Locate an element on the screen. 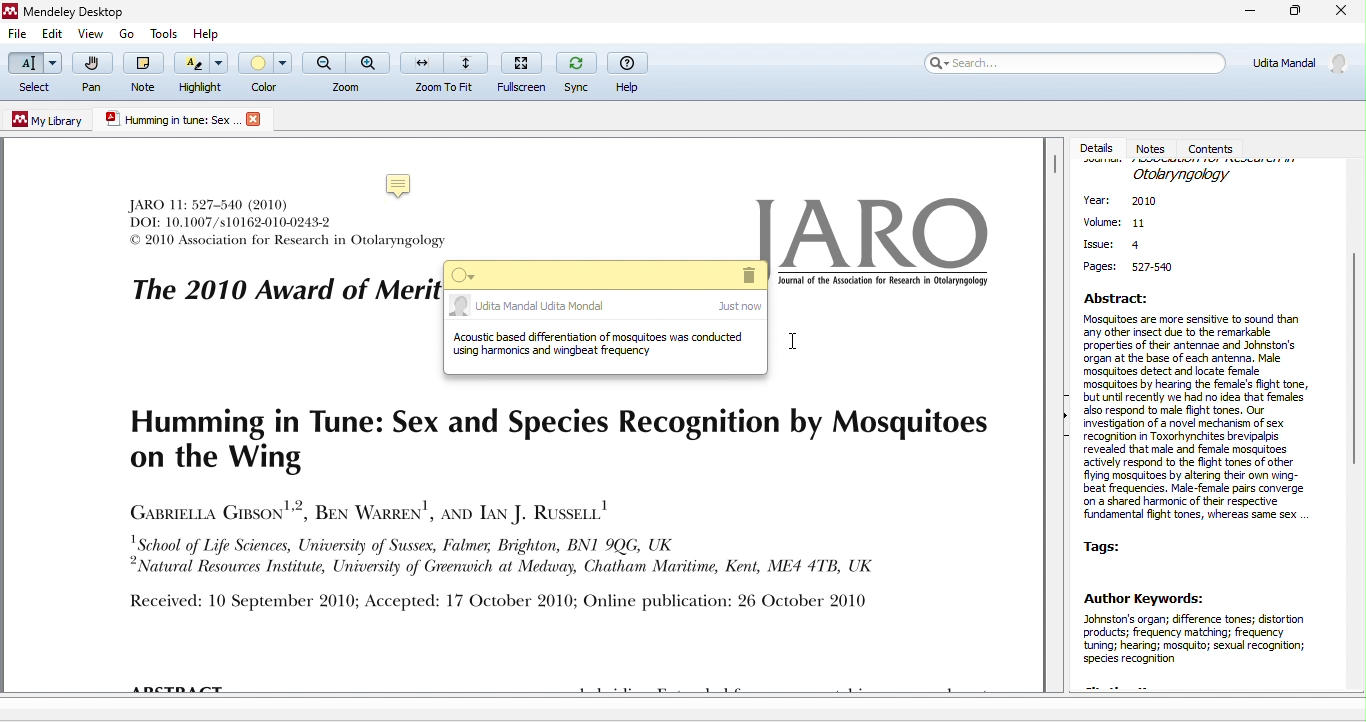 The image size is (1366, 722). close is located at coordinates (1342, 12).